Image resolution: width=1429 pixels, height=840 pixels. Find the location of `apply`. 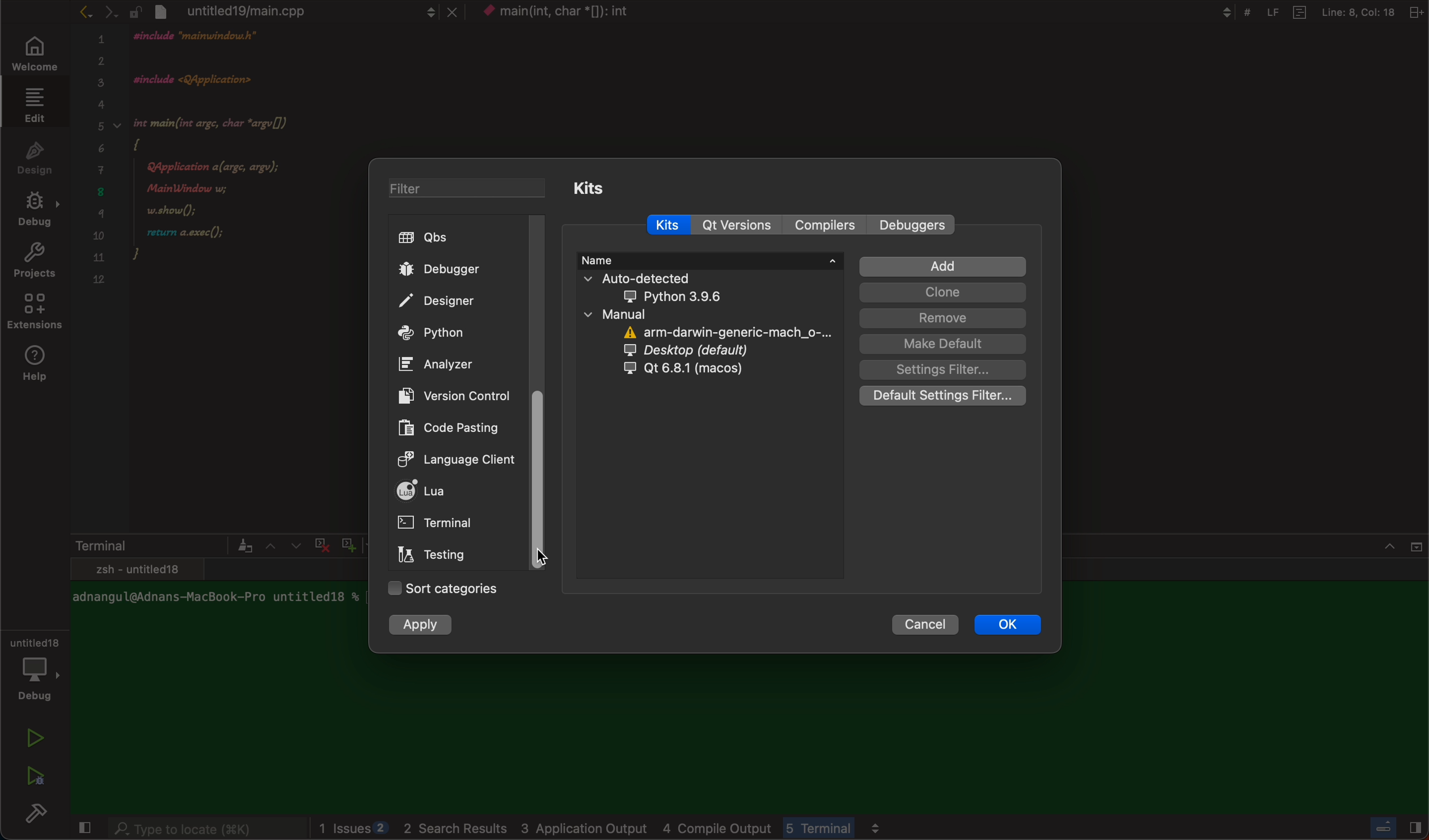

apply is located at coordinates (424, 626).